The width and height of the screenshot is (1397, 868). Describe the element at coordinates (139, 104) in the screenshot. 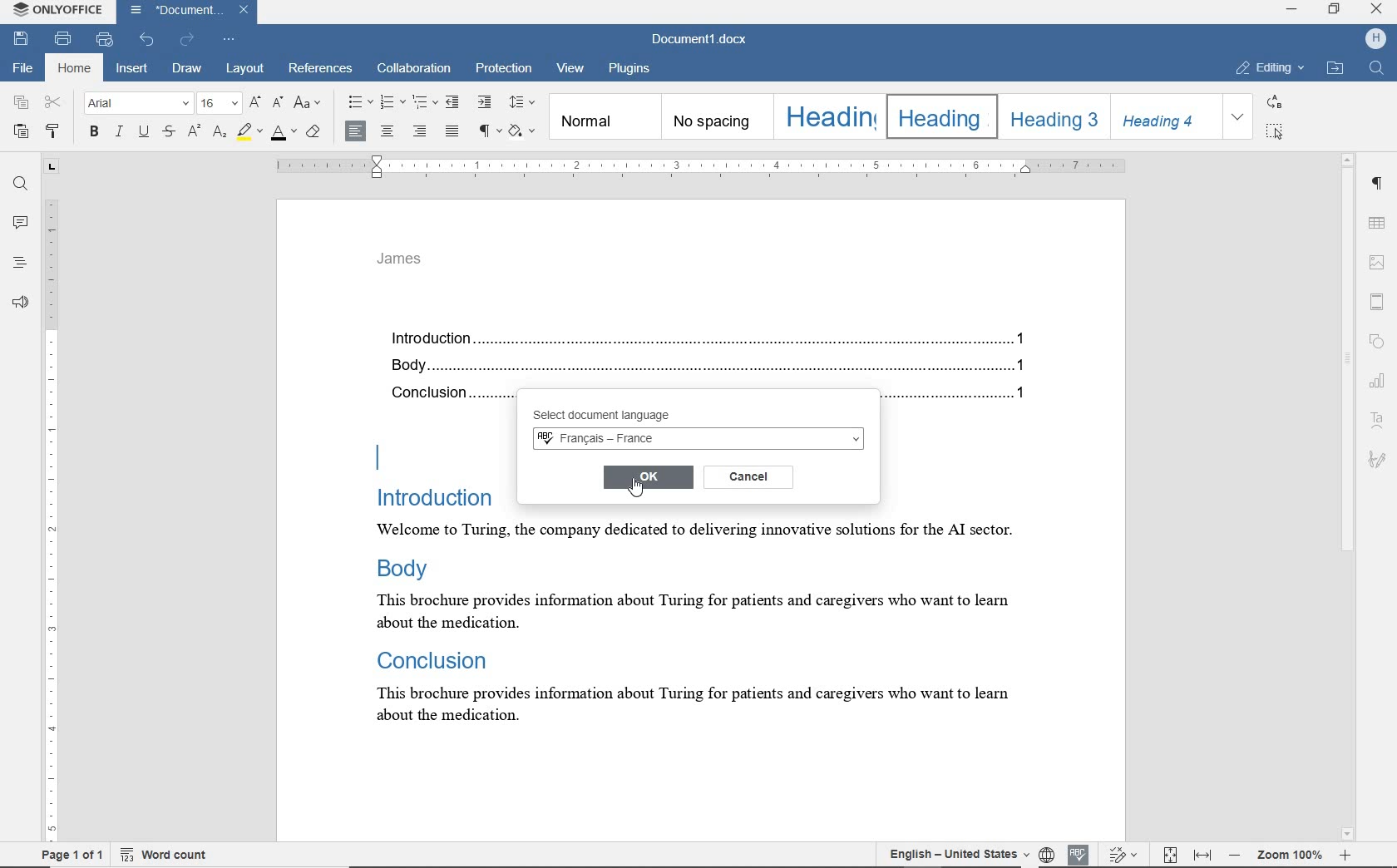

I see `font` at that location.